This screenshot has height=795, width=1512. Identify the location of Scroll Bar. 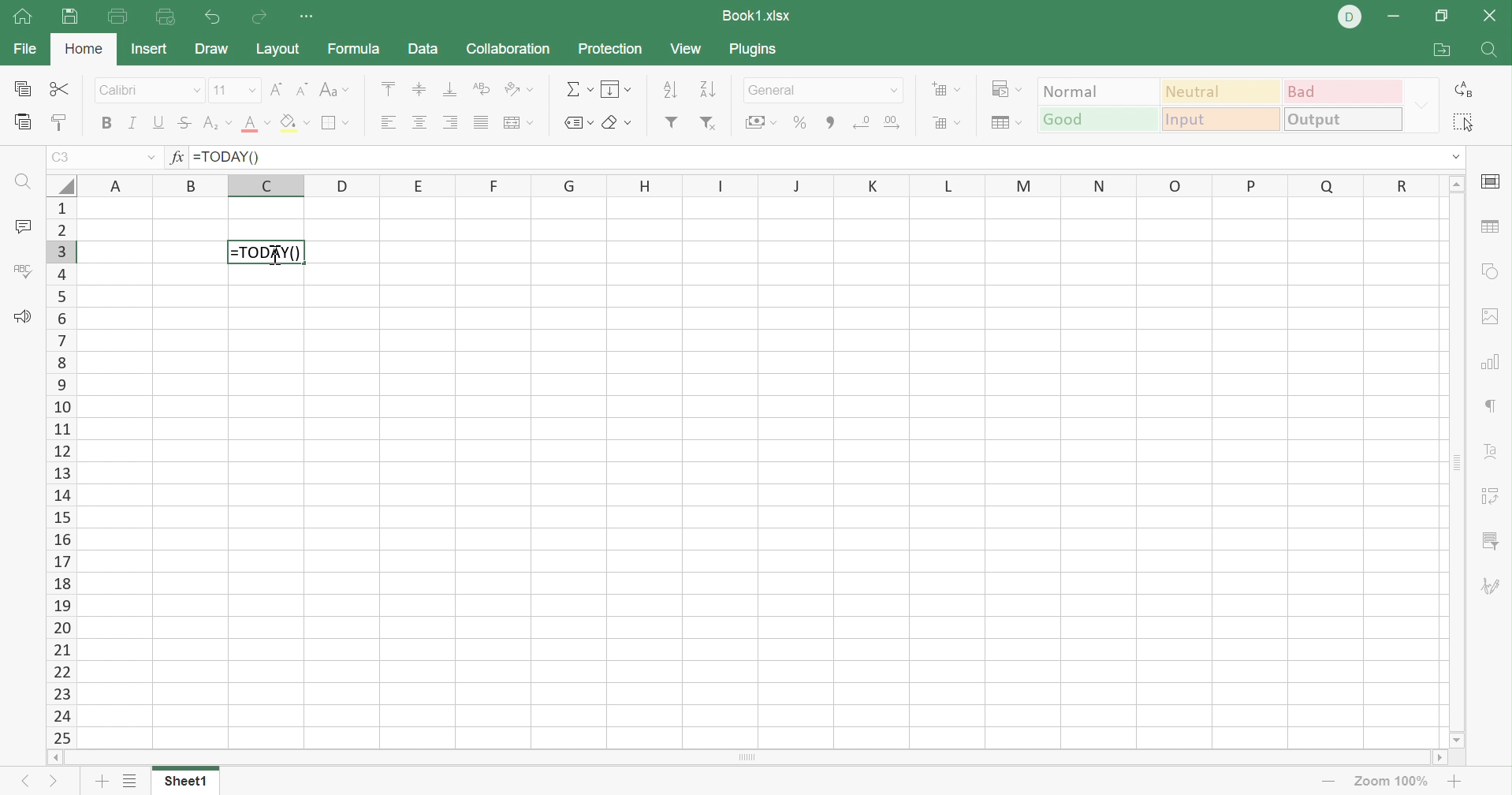
(747, 757).